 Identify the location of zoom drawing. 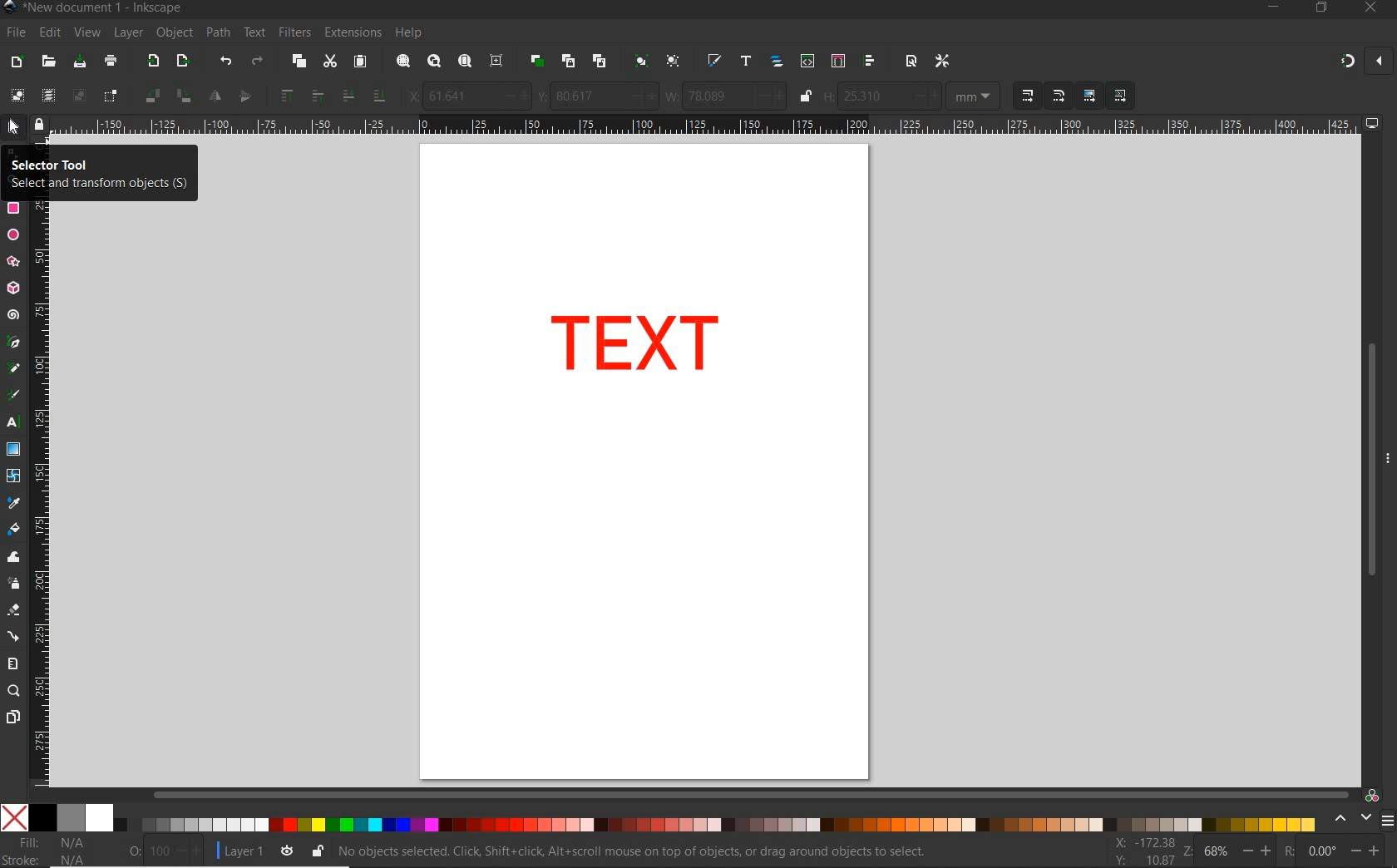
(433, 63).